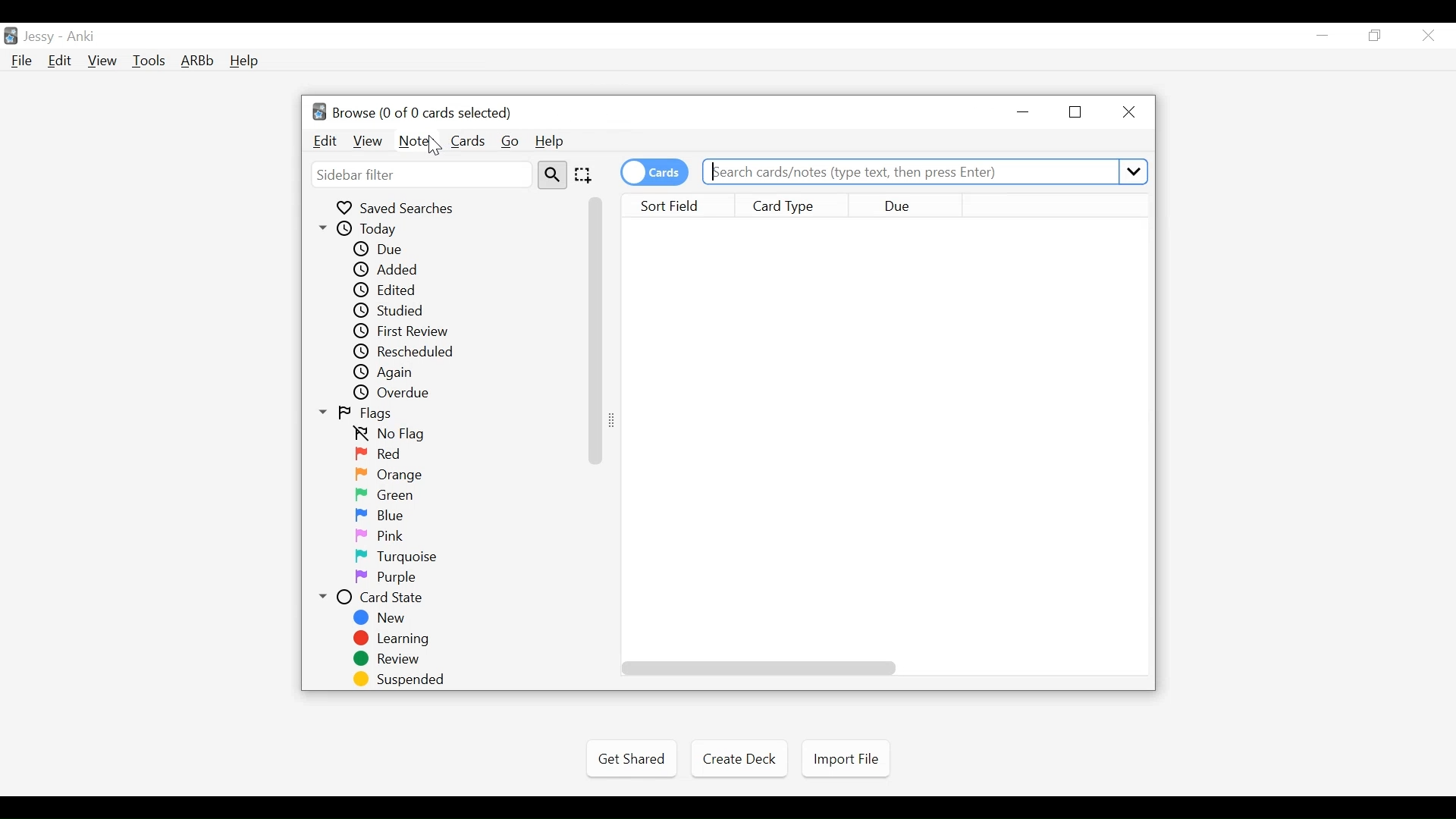 The image size is (1456, 819). Describe the element at coordinates (375, 597) in the screenshot. I see `Card State` at that location.